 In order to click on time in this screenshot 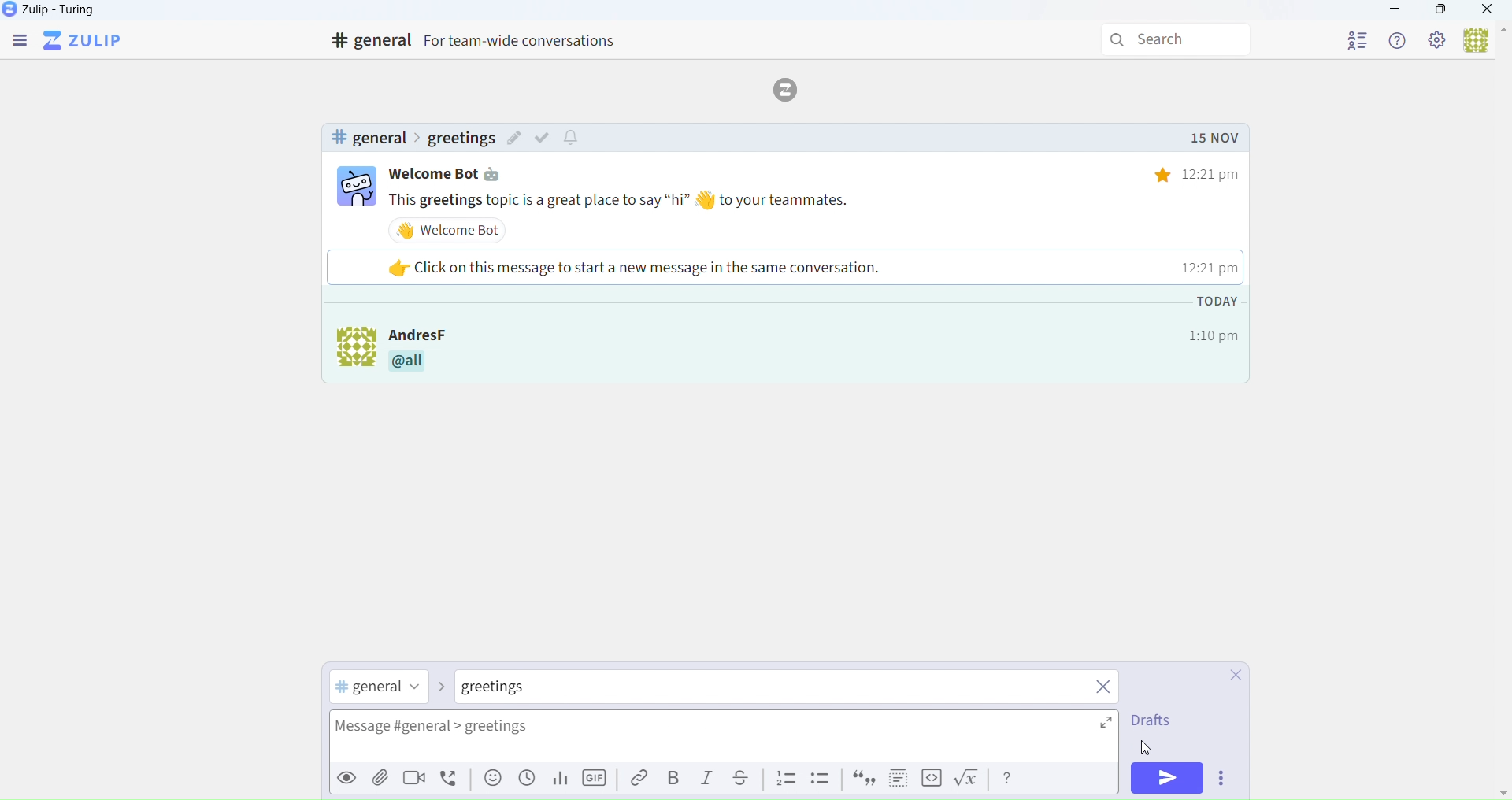, I will do `click(1185, 174)`.